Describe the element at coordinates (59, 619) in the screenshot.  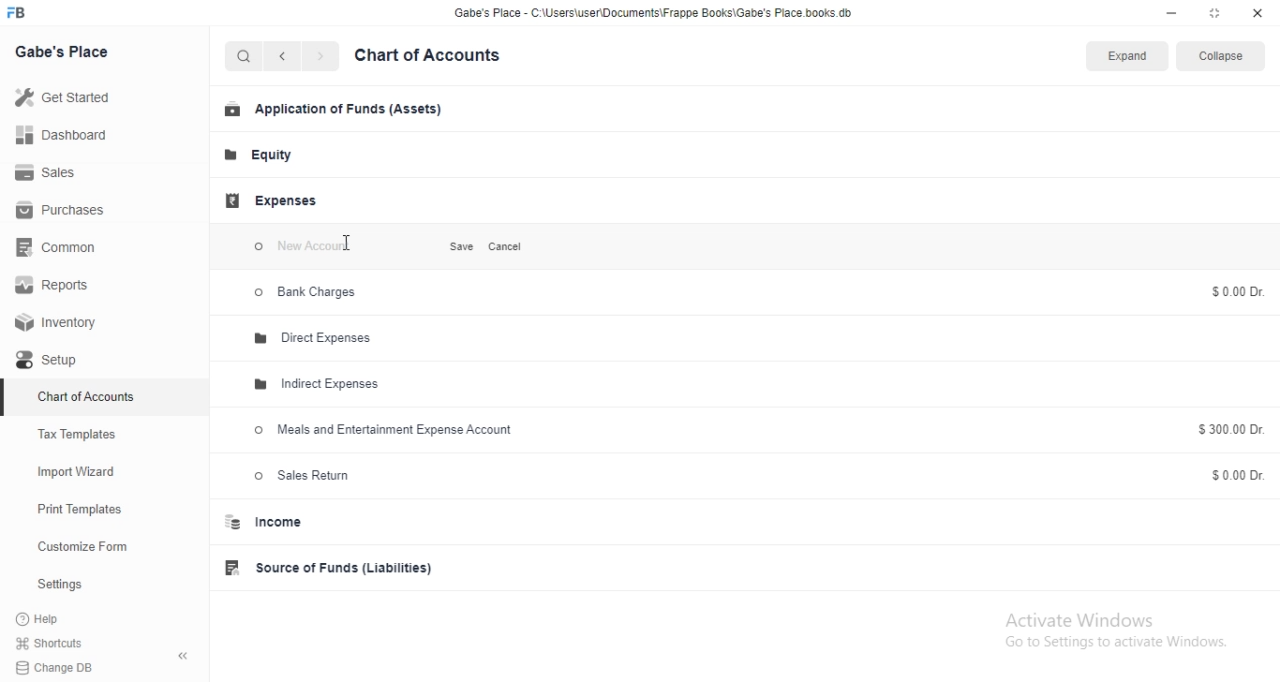
I see `?Help` at that location.